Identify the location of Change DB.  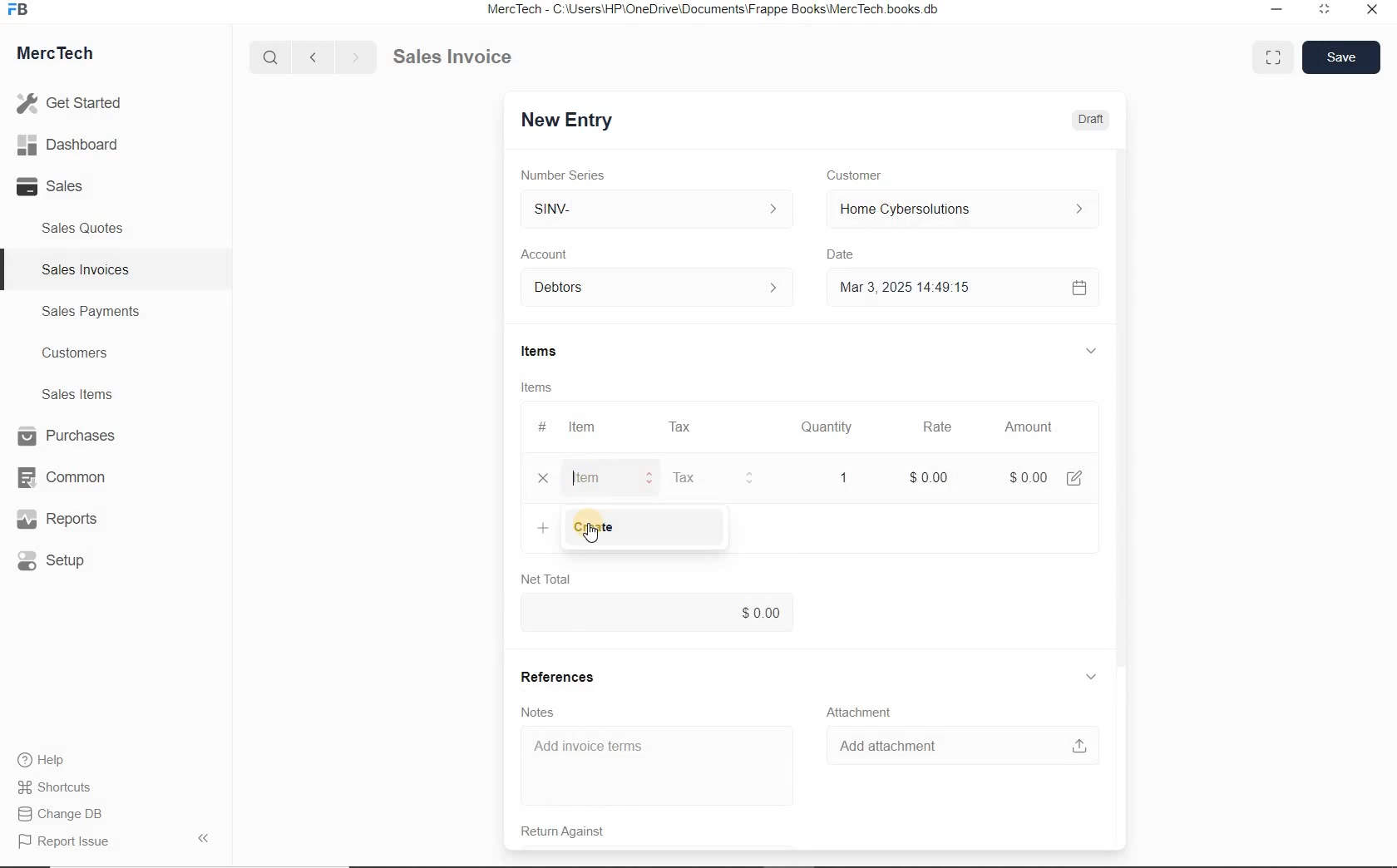
(62, 814).